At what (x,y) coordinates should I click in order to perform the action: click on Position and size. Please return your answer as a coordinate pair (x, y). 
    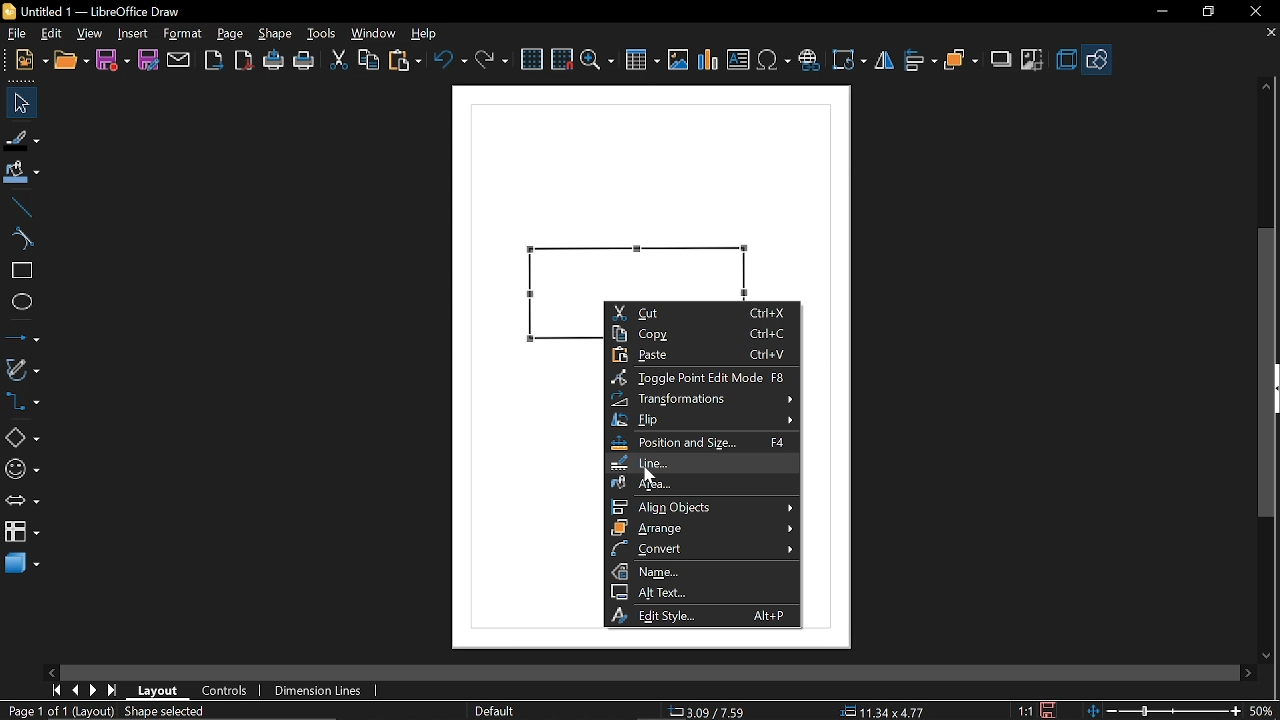
    Looking at the image, I should click on (700, 443).